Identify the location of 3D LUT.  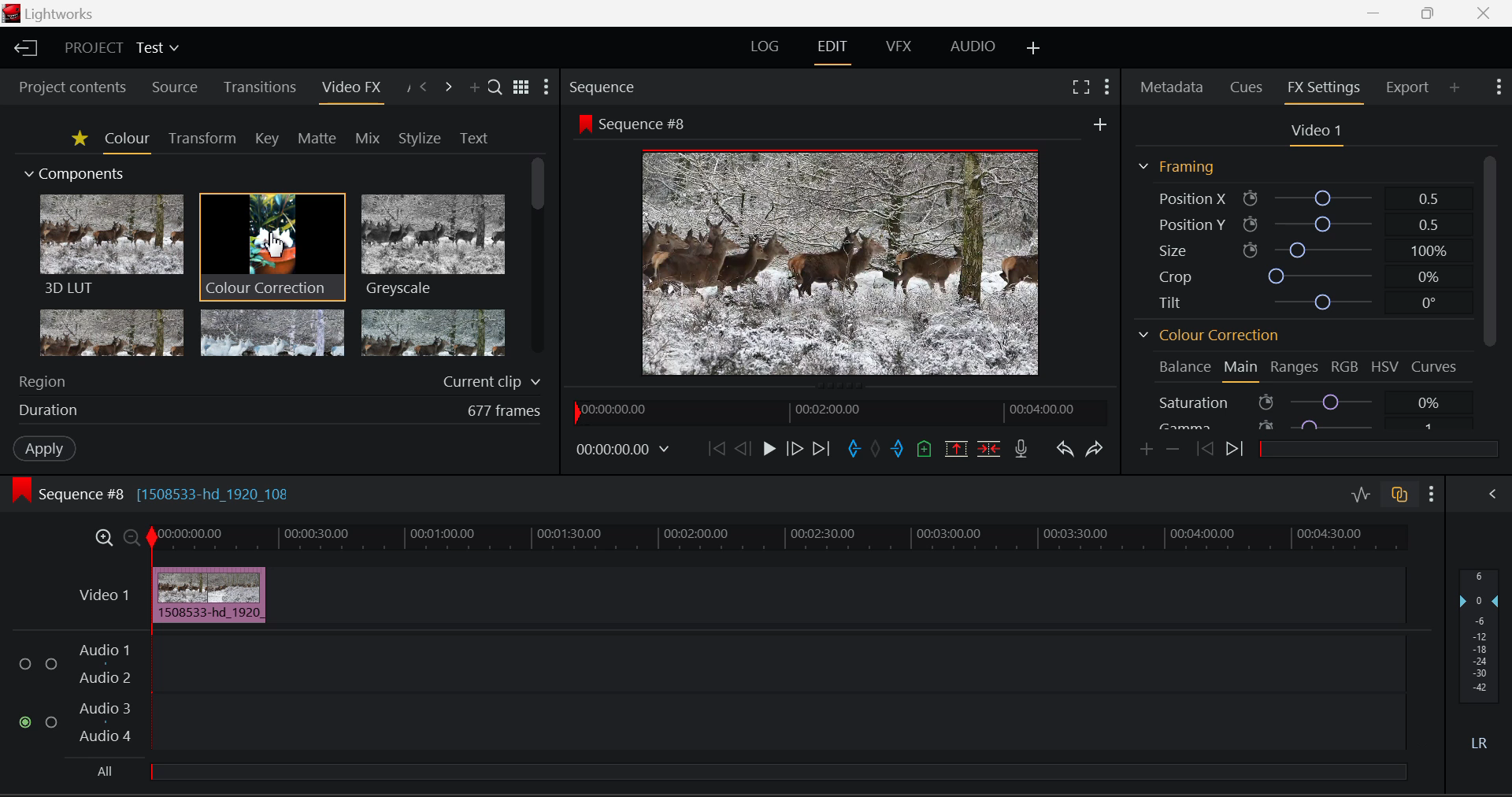
(110, 243).